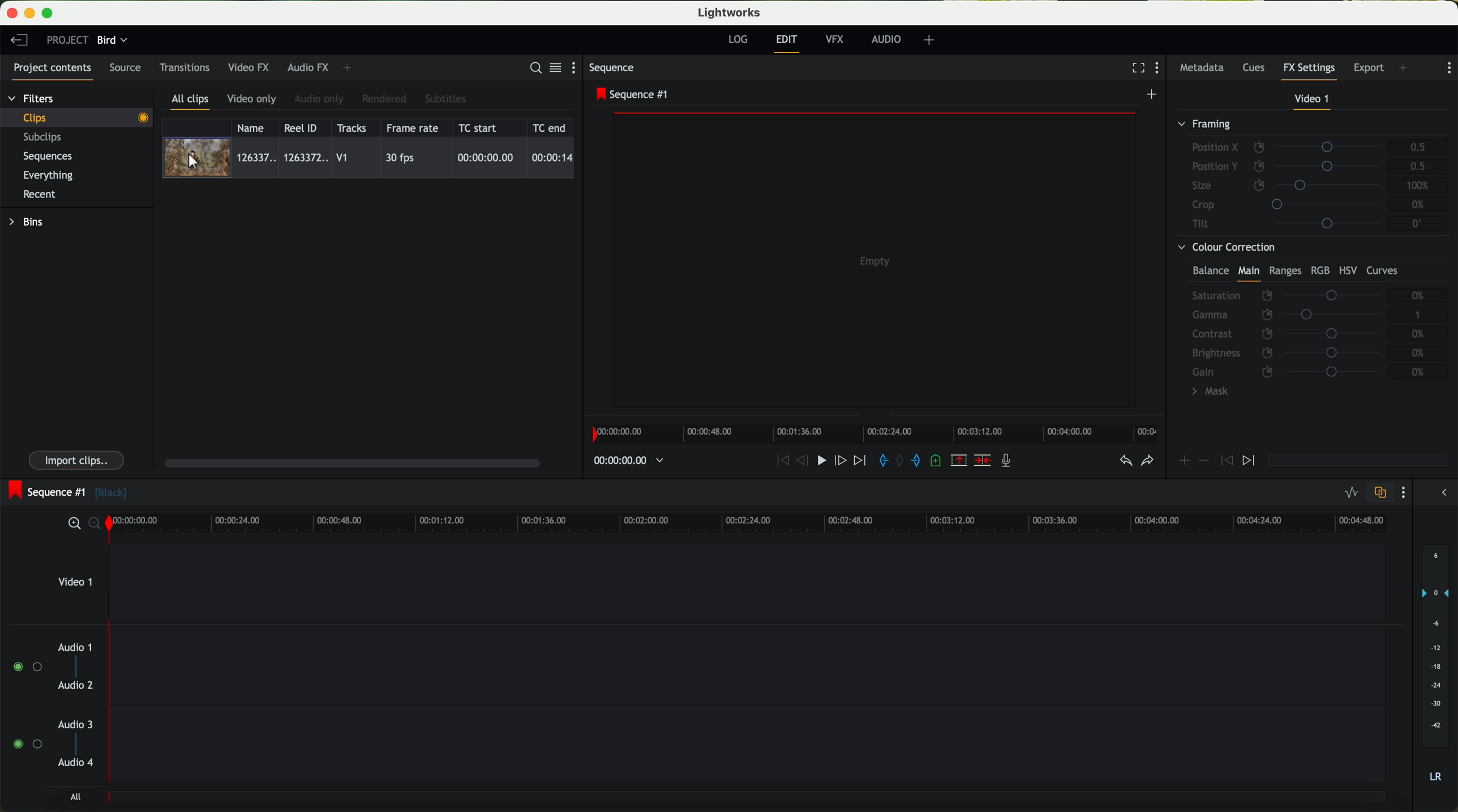  What do you see at coordinates (444, 99) in the screenshot?
I see `subtitles` at bounding box center [444, 99].